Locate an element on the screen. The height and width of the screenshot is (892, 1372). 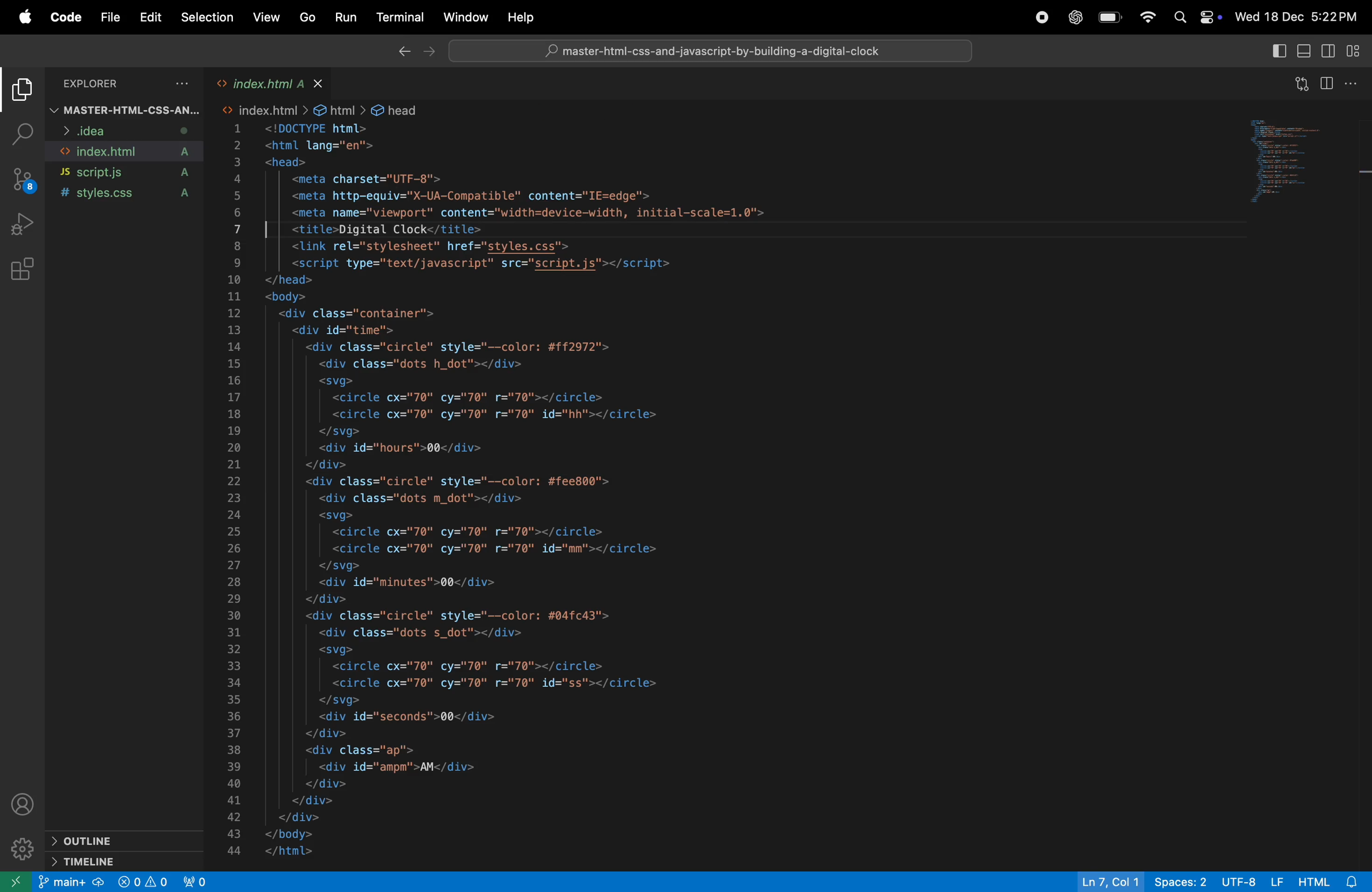
view port is located at coordinates (197, 881).